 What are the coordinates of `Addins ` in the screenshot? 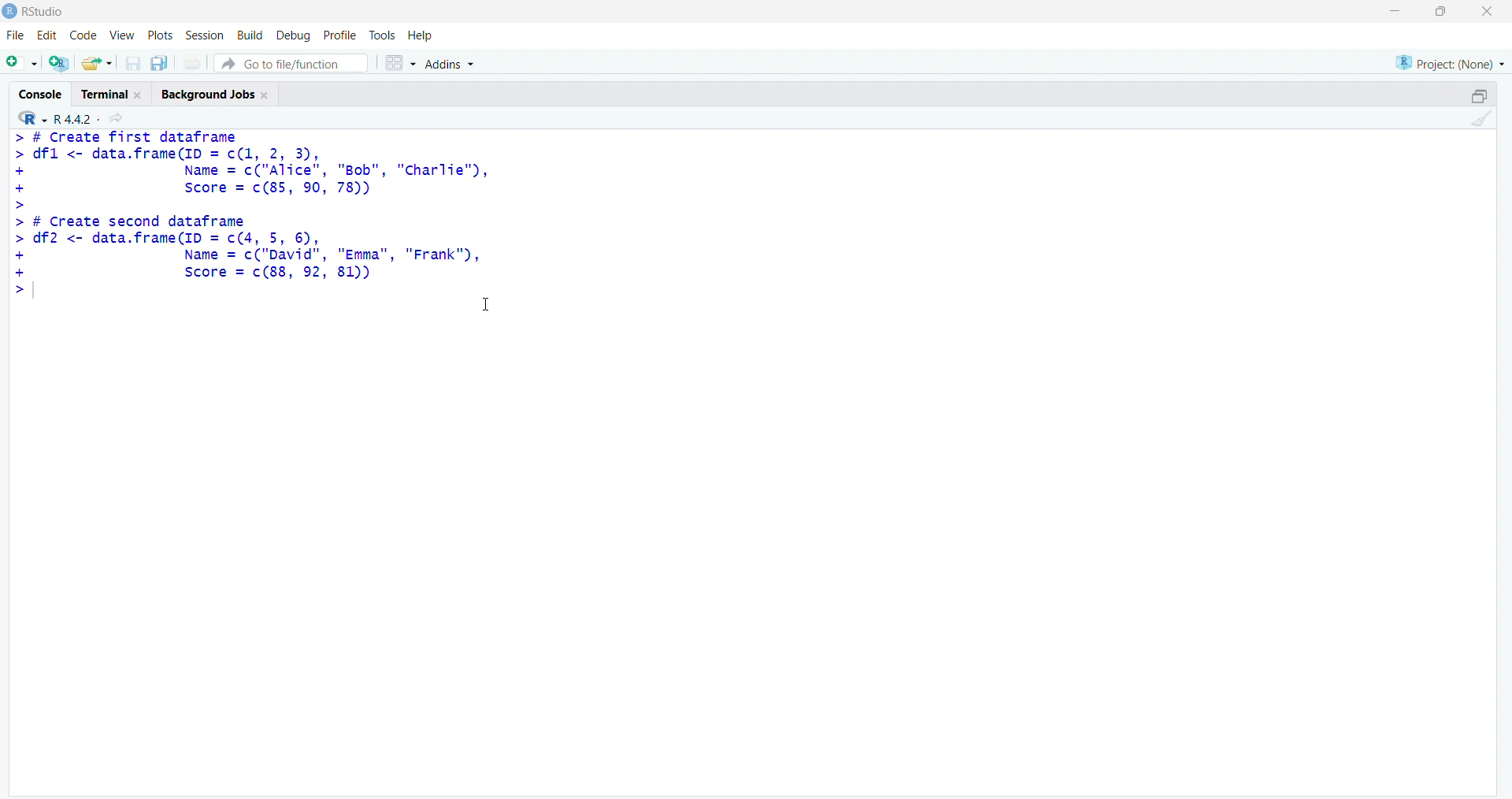 It's located at (449, 64).